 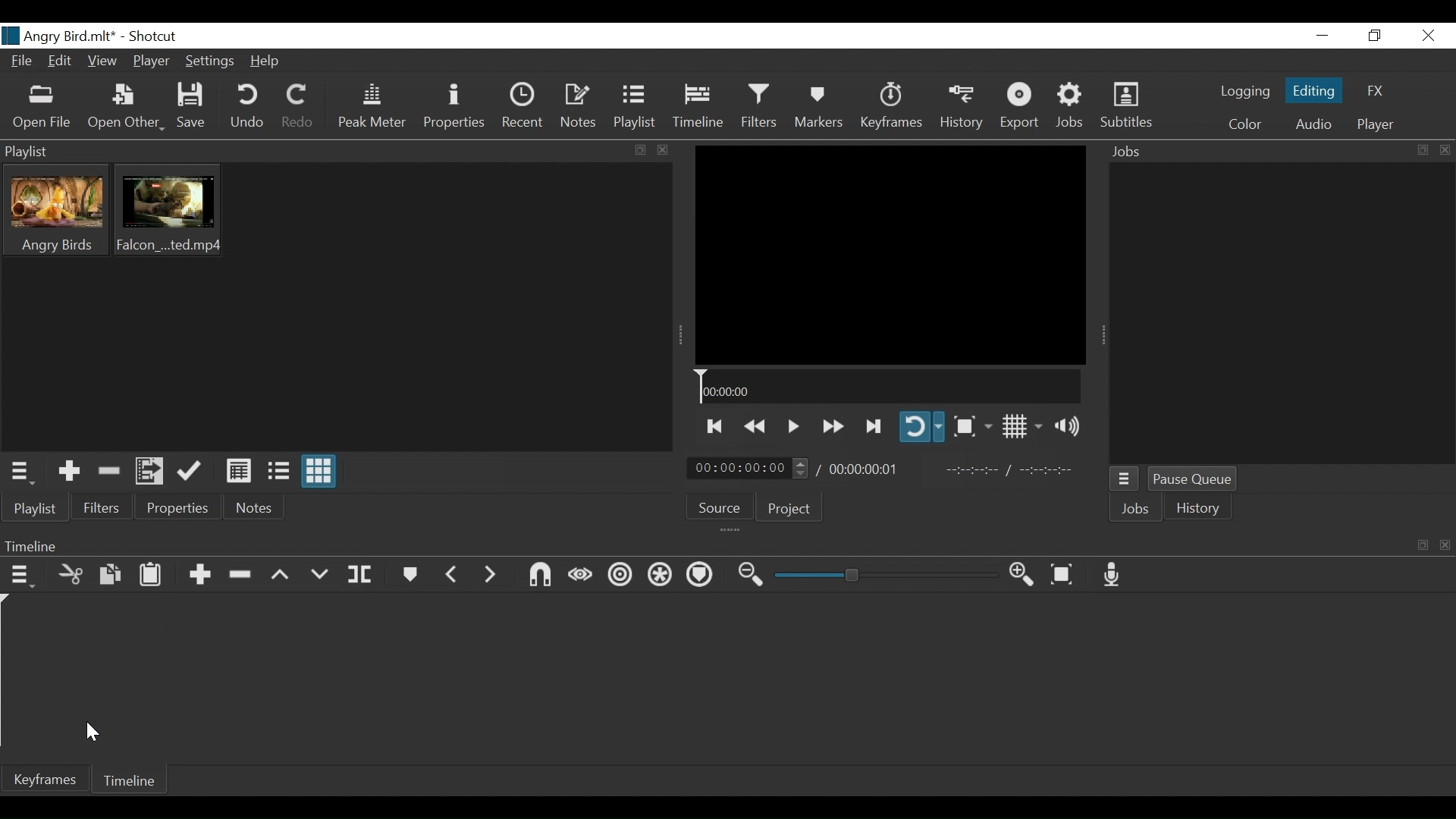 I want to click on Save, so click(x=192, y=108).